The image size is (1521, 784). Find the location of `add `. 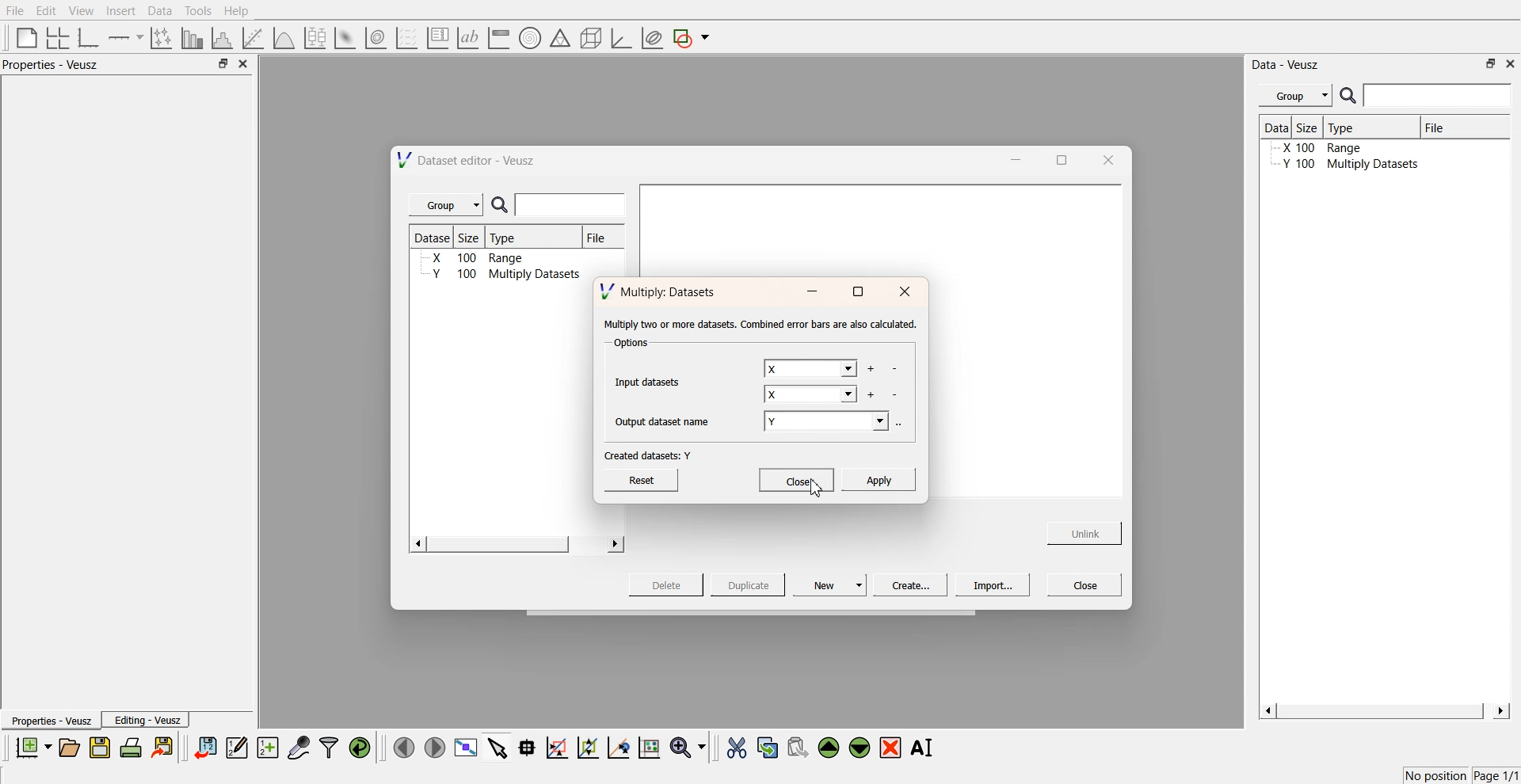

add  is located at coordinates (870, 394).